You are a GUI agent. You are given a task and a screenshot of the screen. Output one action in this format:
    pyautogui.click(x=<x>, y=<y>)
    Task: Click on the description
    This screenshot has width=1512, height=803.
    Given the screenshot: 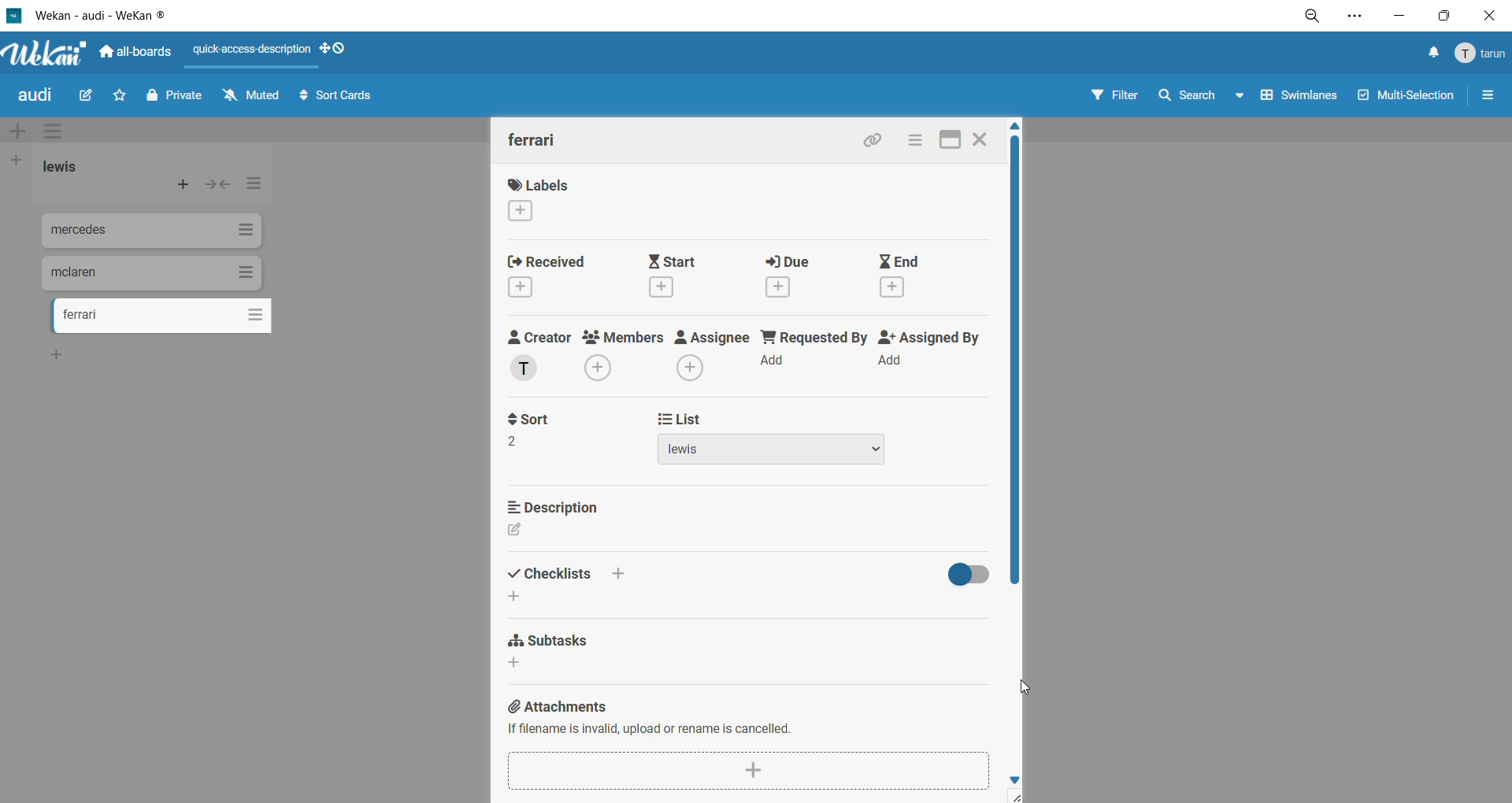 What is the action you would take?
    pyautogui.click(x=558, y=505)
    